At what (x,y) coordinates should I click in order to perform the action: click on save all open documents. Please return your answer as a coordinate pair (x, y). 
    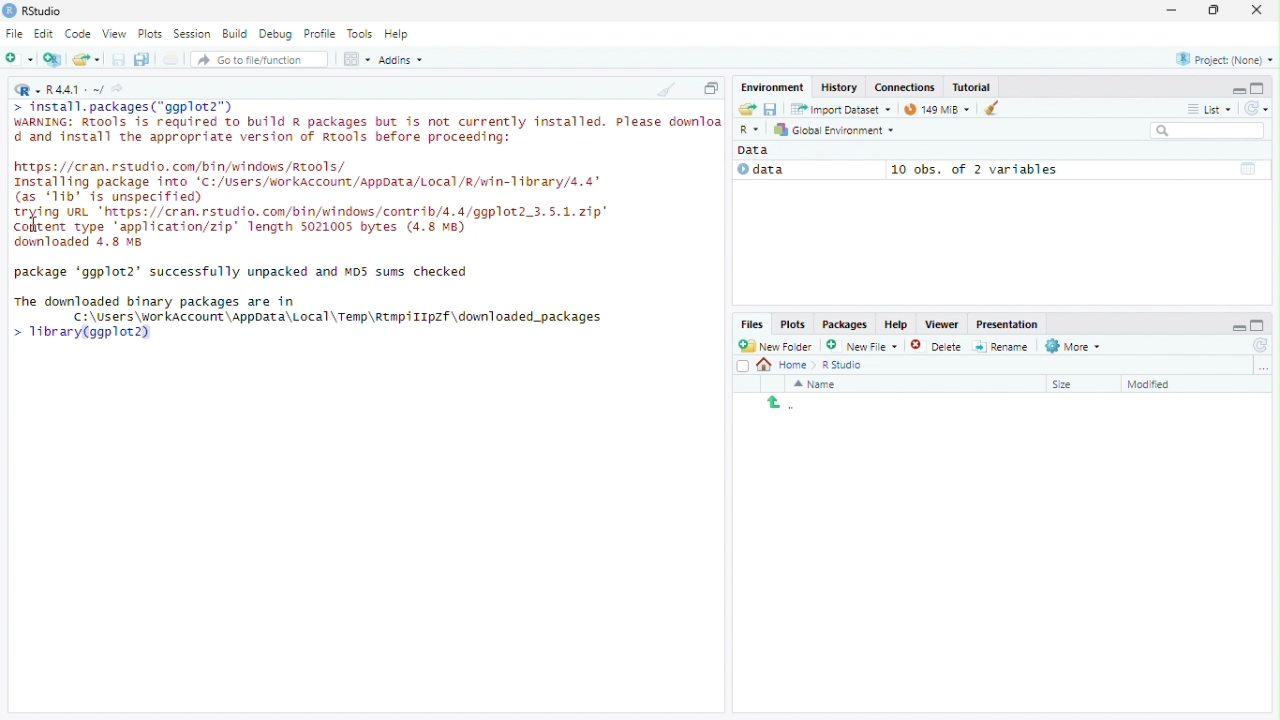
    Looking at the image, I should click on (143, 59).